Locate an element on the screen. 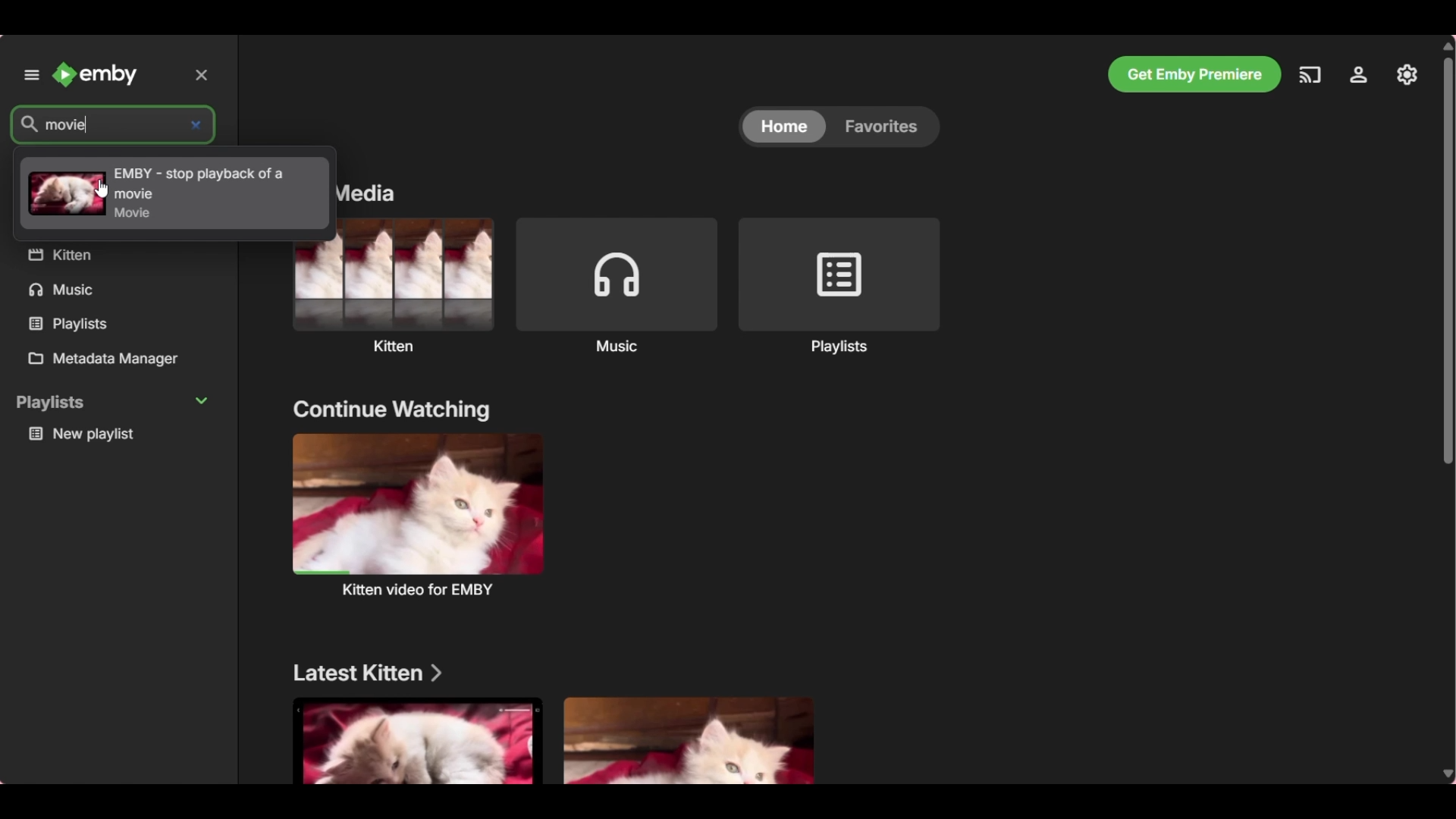 This screenshot has width=1456, height=819. music is located at coordinates (115, 291).